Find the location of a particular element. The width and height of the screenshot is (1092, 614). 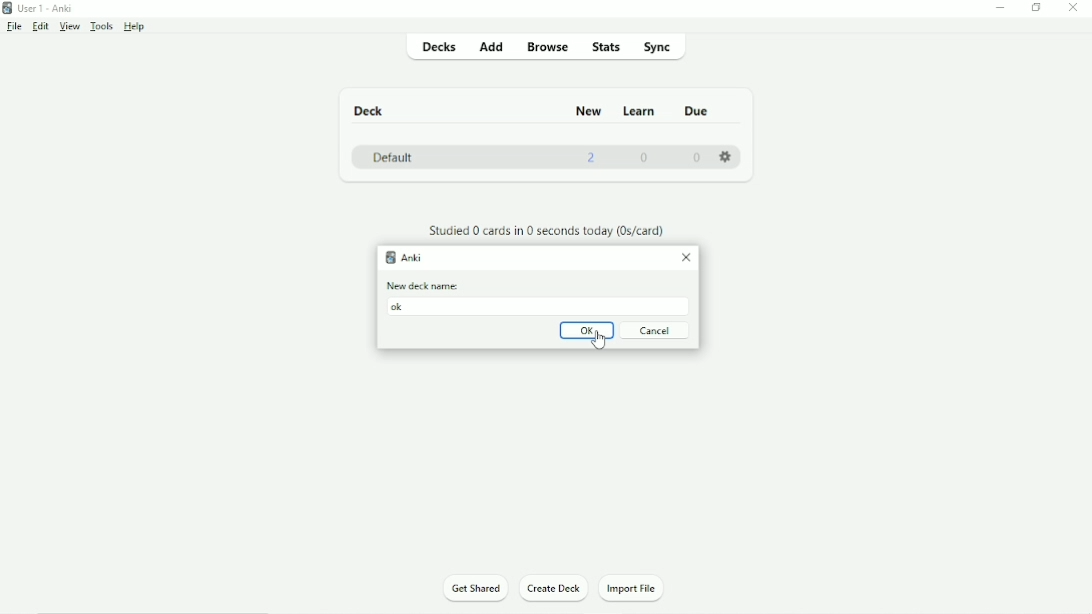

Cancel is located at coordinates (657, 330).